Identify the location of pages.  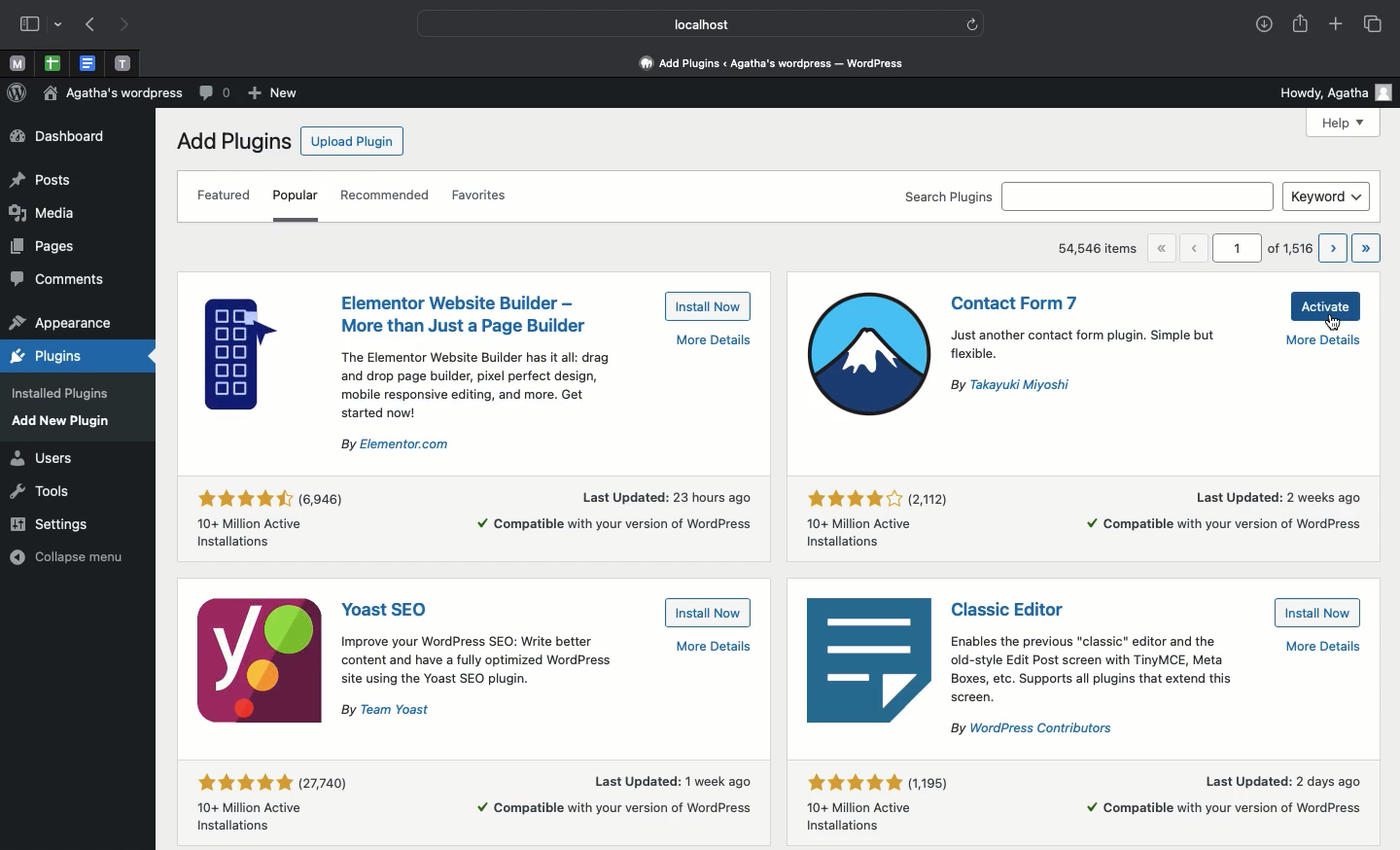
(43, 246).